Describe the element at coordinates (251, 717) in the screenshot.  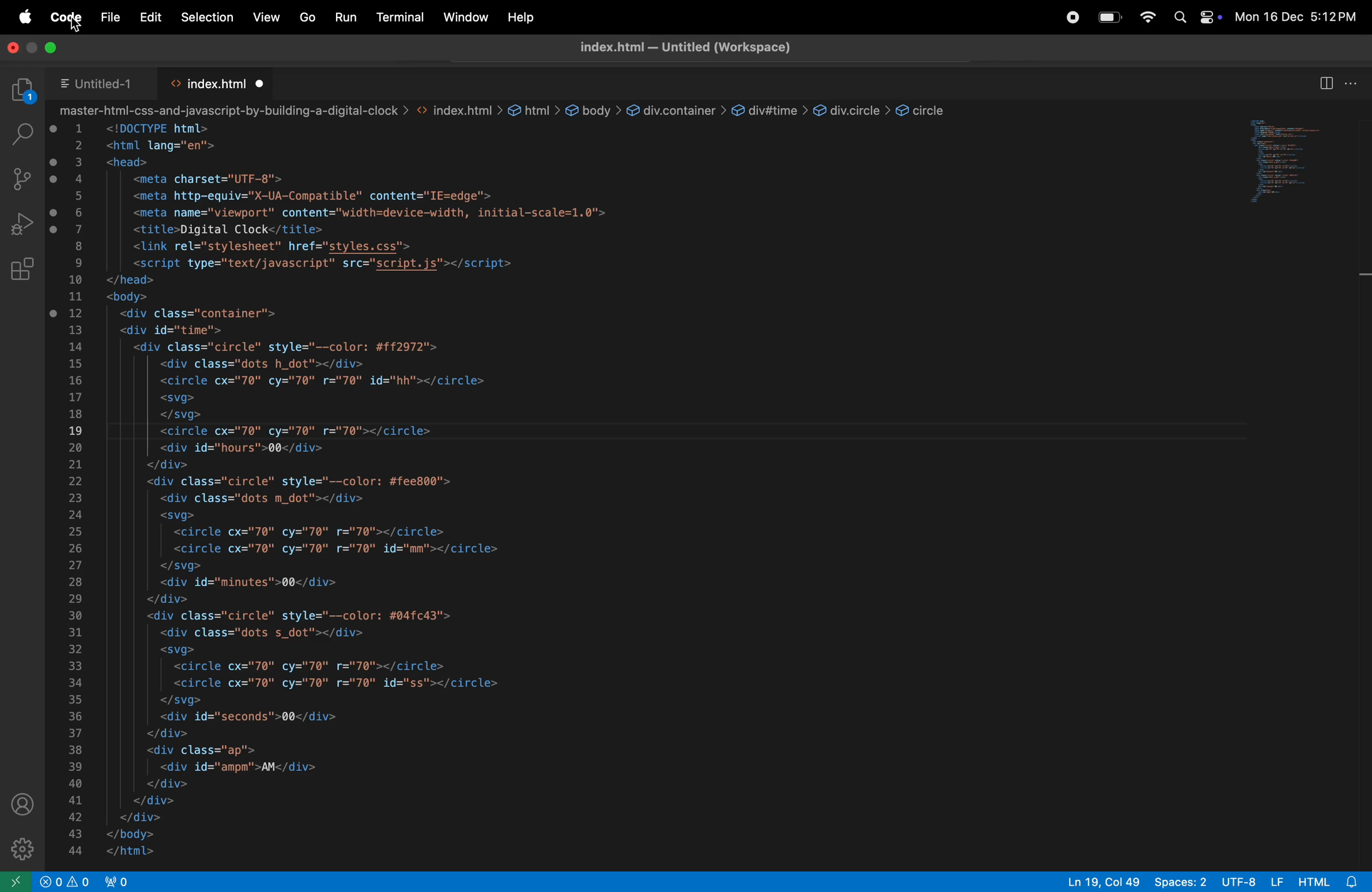
I see `<div id="seconds">00</div>` at that location.